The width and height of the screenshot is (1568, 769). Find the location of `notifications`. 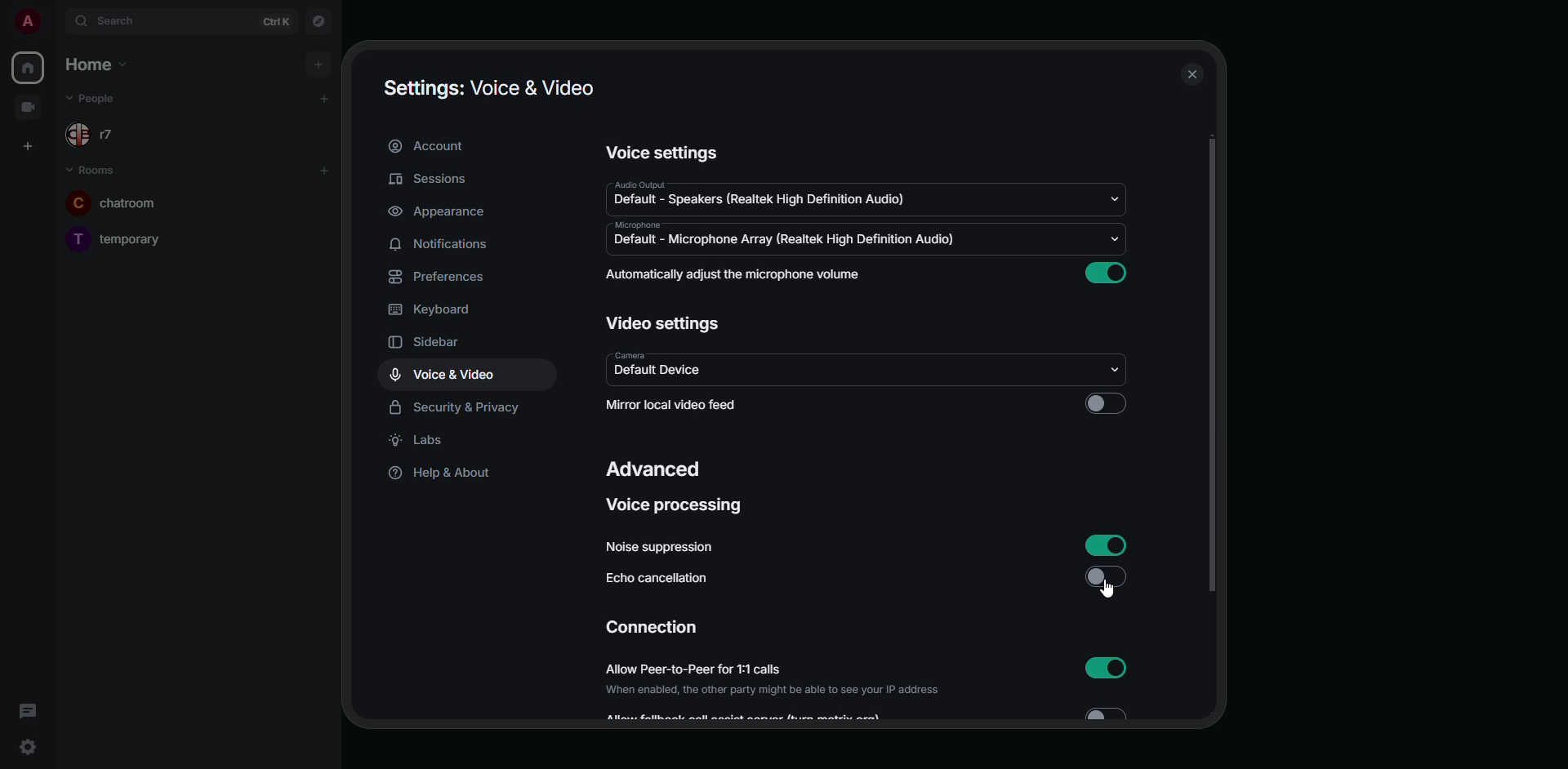

notifications is located at coordinates (441, 243).